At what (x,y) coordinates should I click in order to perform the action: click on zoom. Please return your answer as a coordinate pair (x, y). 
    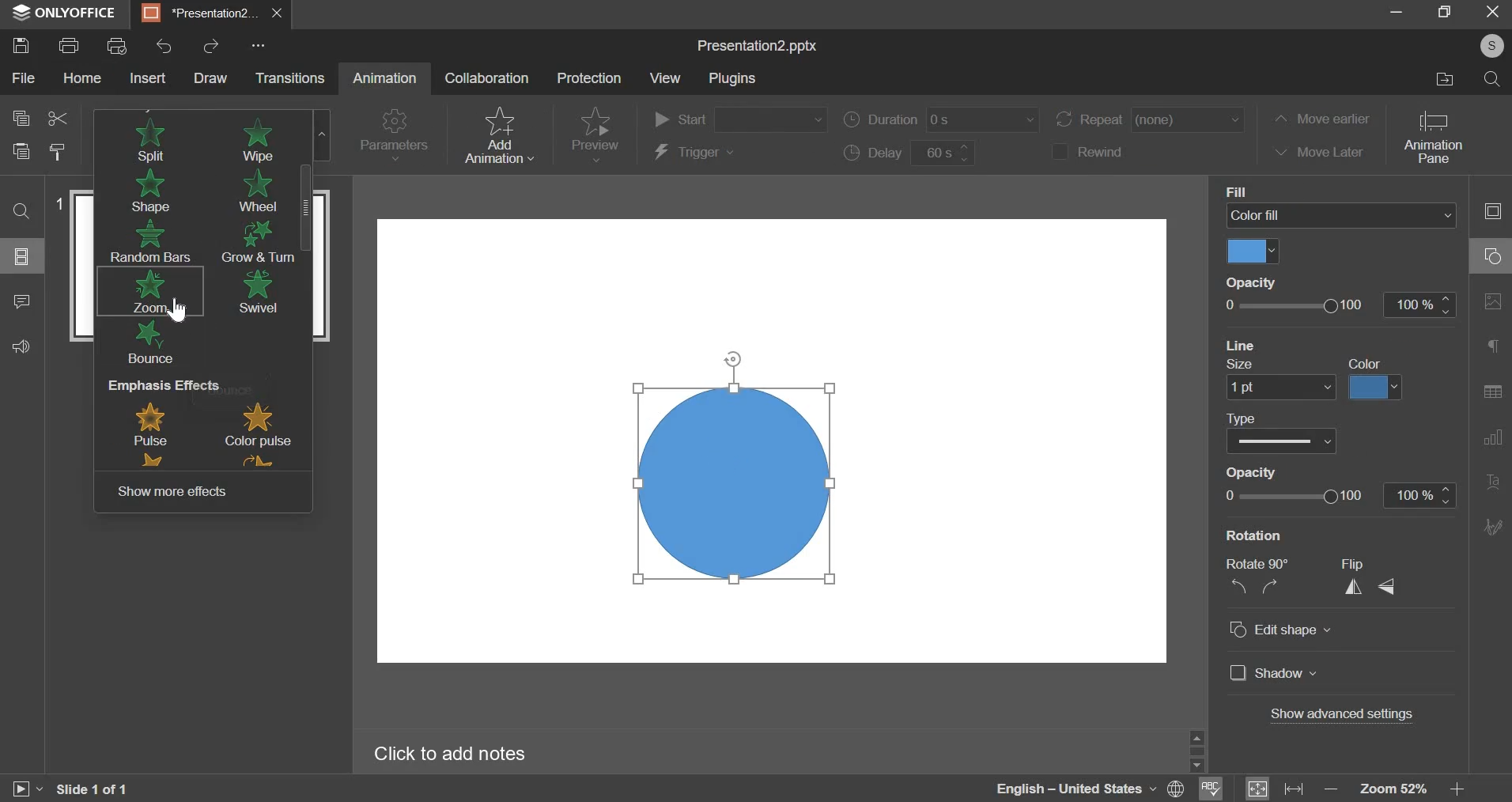
    Looking at the image, I should click on (148, 291).